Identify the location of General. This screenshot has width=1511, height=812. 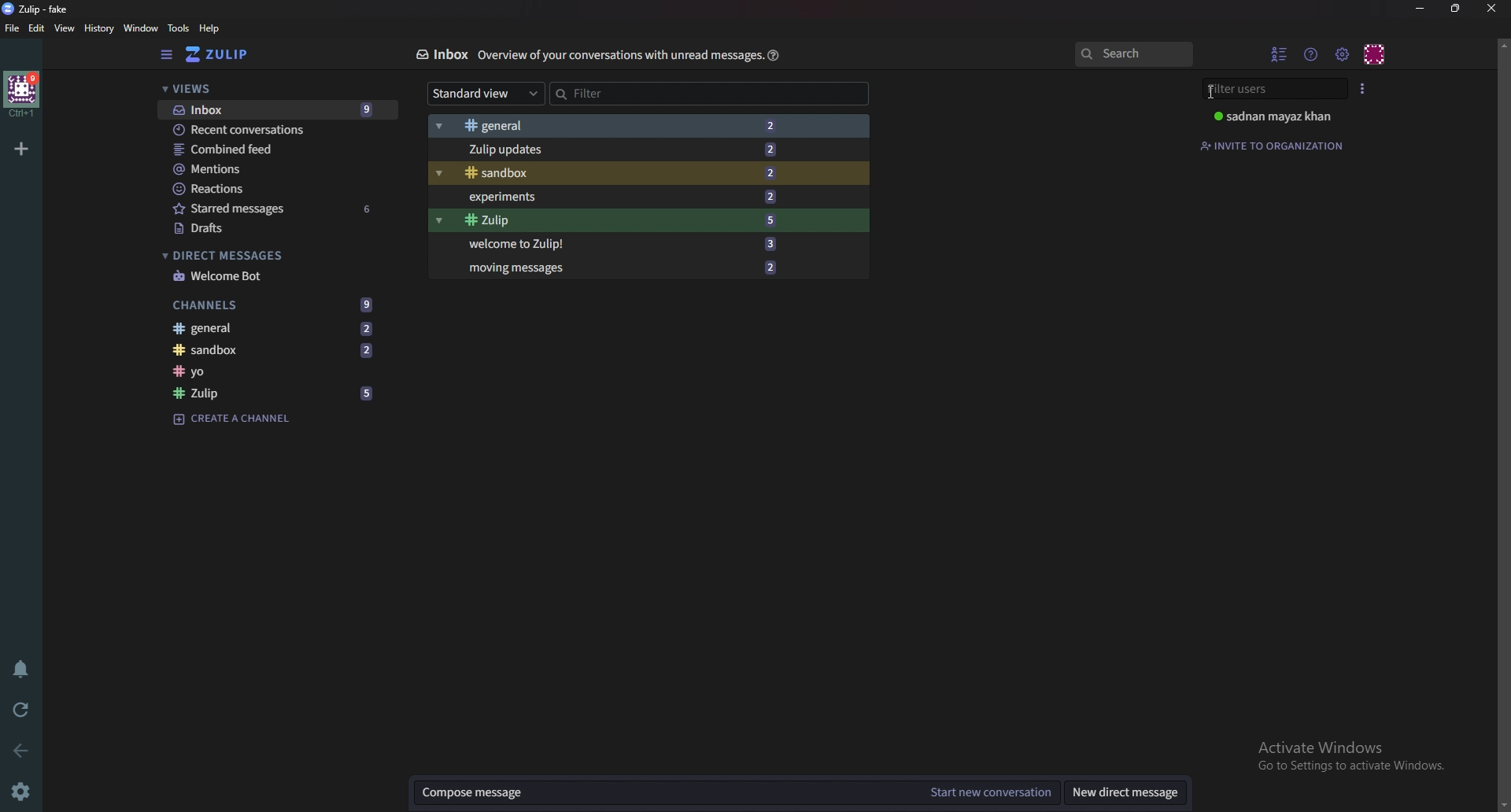
(276, 330).